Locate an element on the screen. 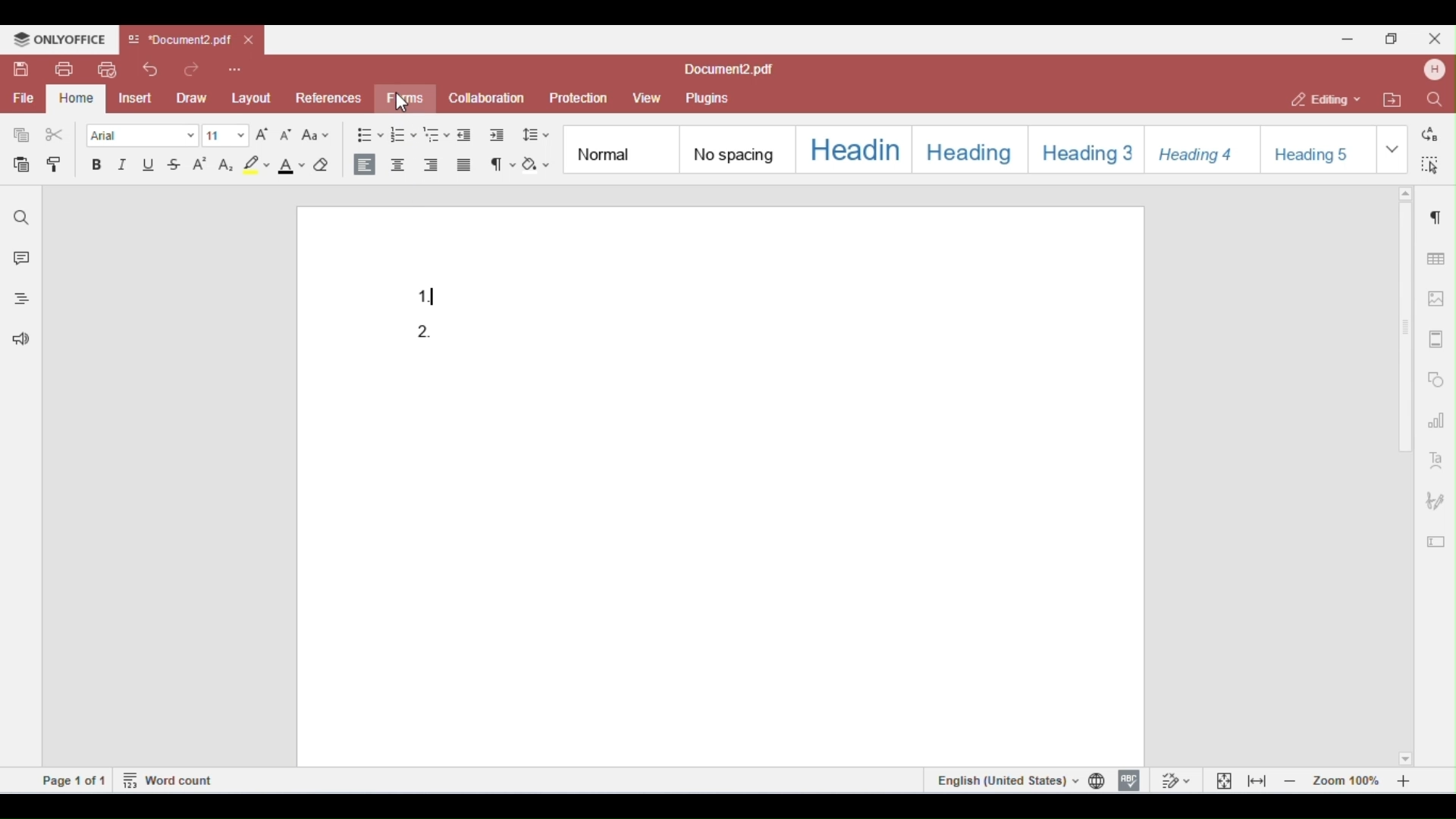 The height and width of the screenshot is (819, 1456). heading 4 is located at coordinates (1200, 148).